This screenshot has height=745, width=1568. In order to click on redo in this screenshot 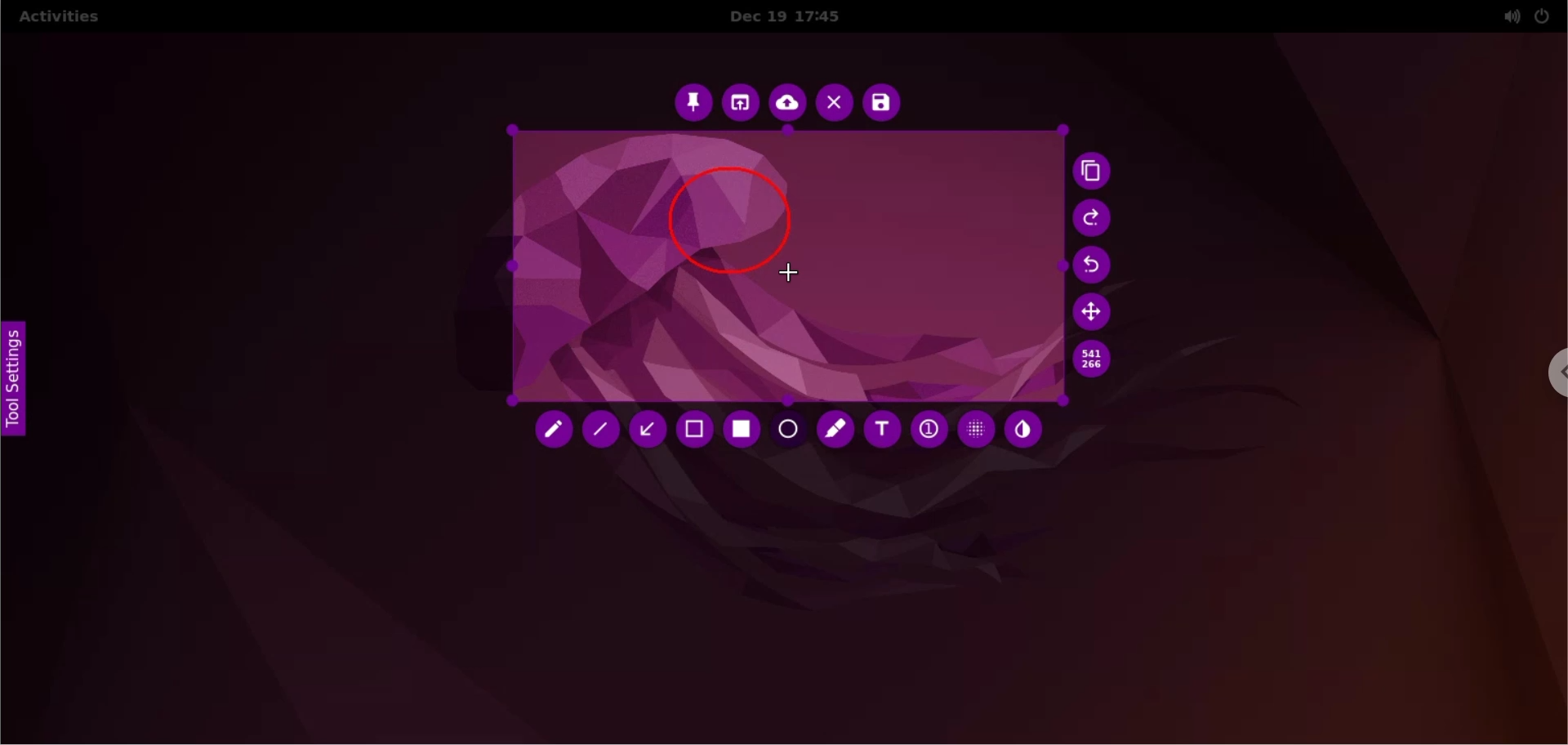, I will do `click(1094, 219)`.